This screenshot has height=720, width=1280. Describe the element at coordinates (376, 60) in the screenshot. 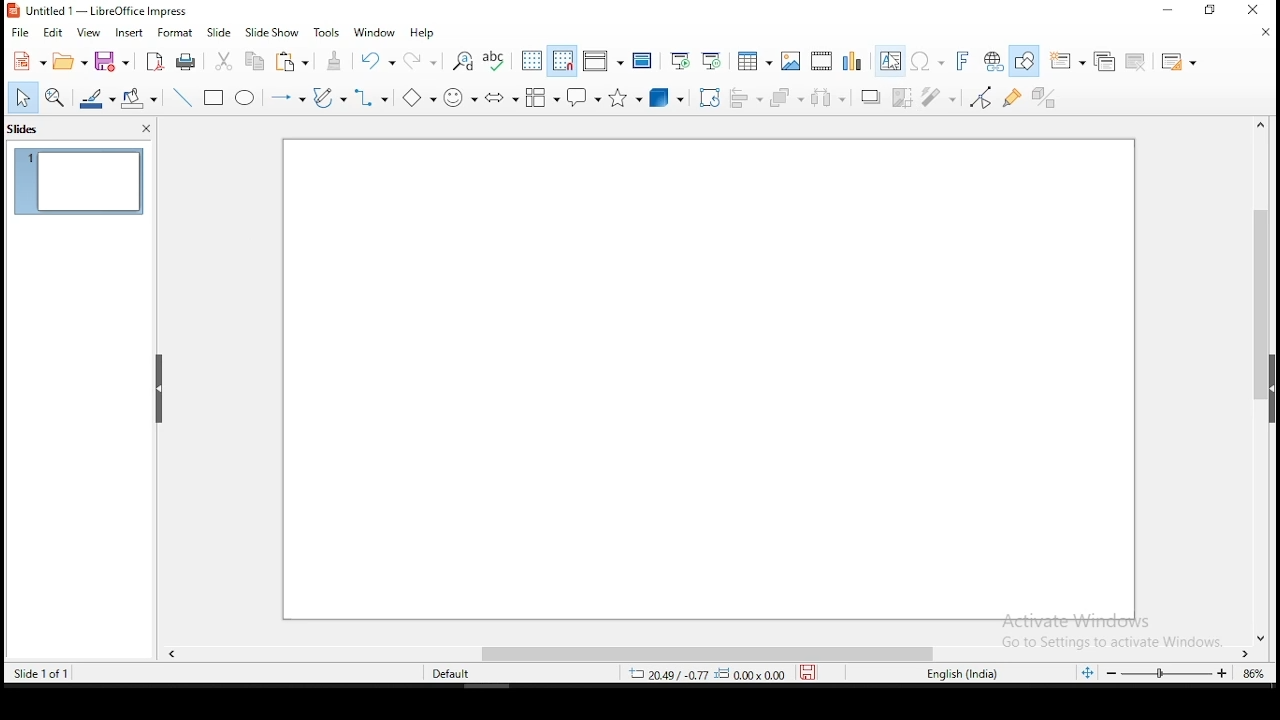

I see `undo` at that location.